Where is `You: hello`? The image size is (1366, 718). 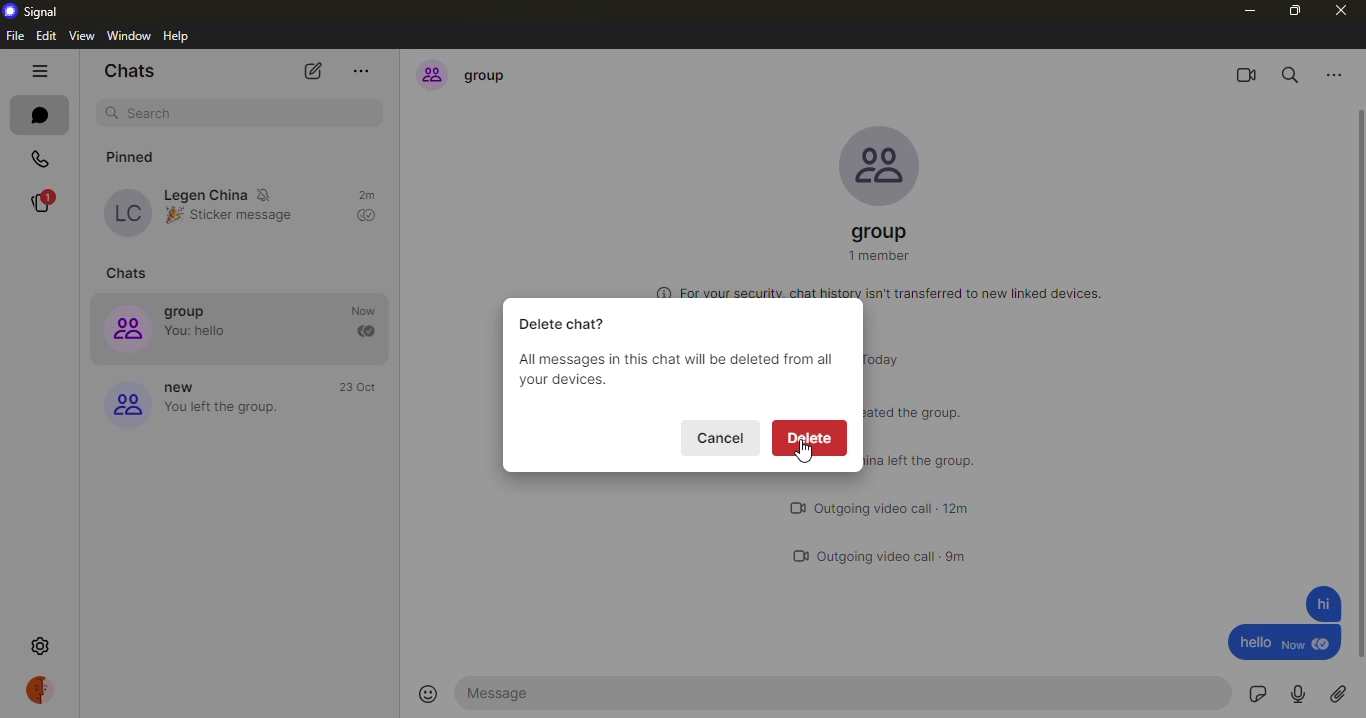
You: hello is located at coordinates (196, 332).